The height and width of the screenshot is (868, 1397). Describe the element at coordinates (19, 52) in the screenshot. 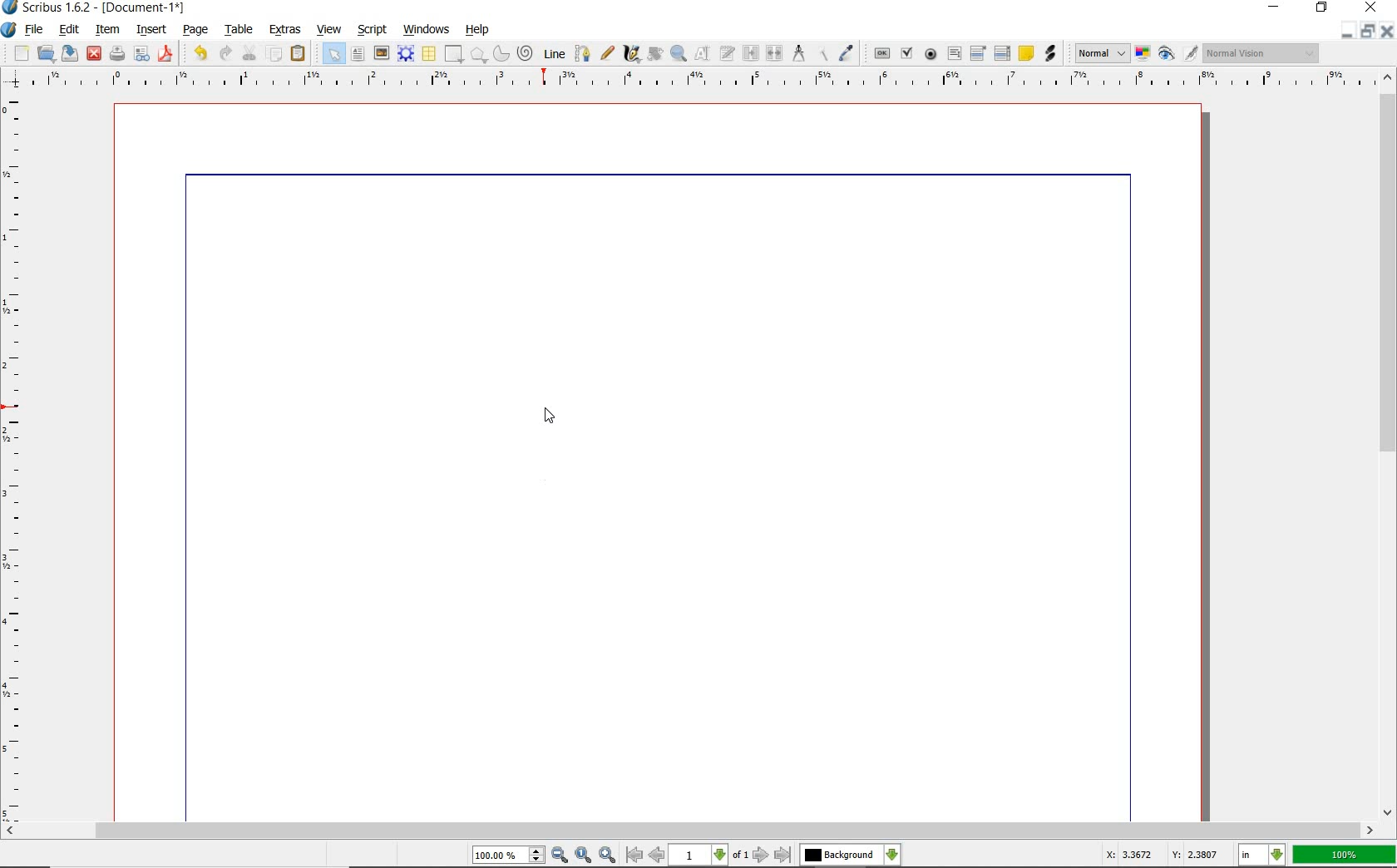

I see `new` at that location.